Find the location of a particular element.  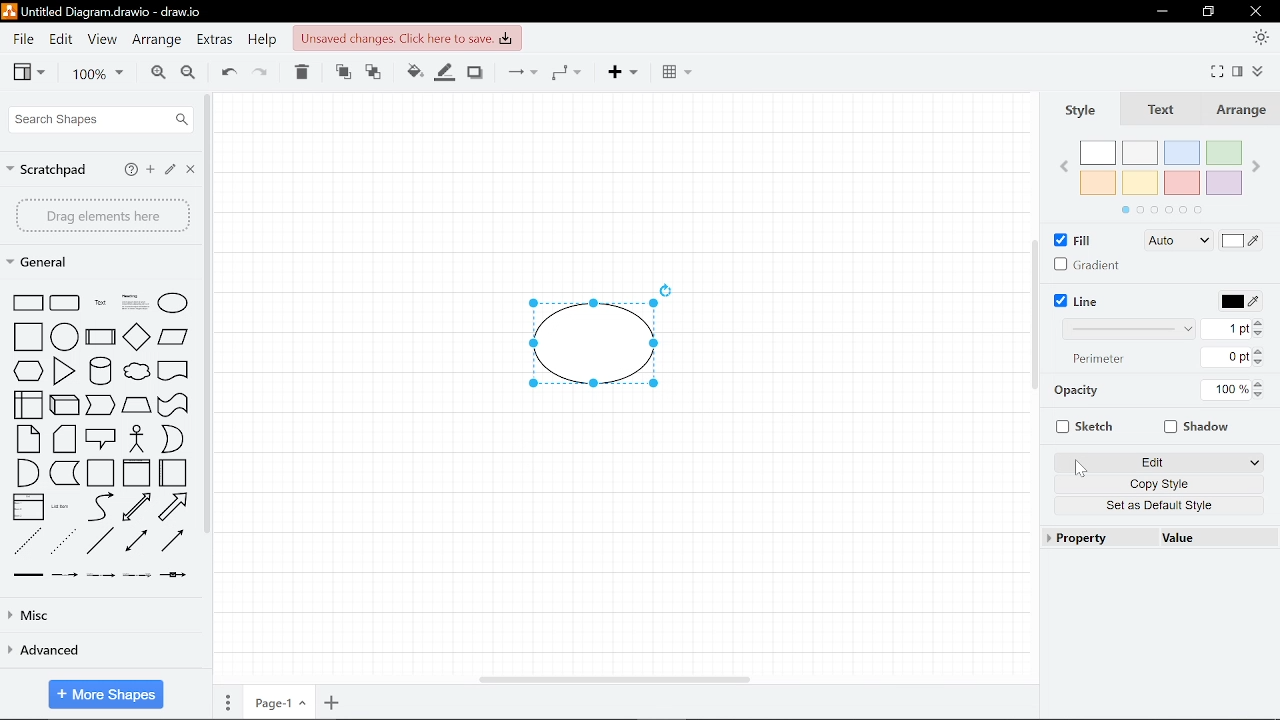

Search by shapes is located at coordinates (100, 119).